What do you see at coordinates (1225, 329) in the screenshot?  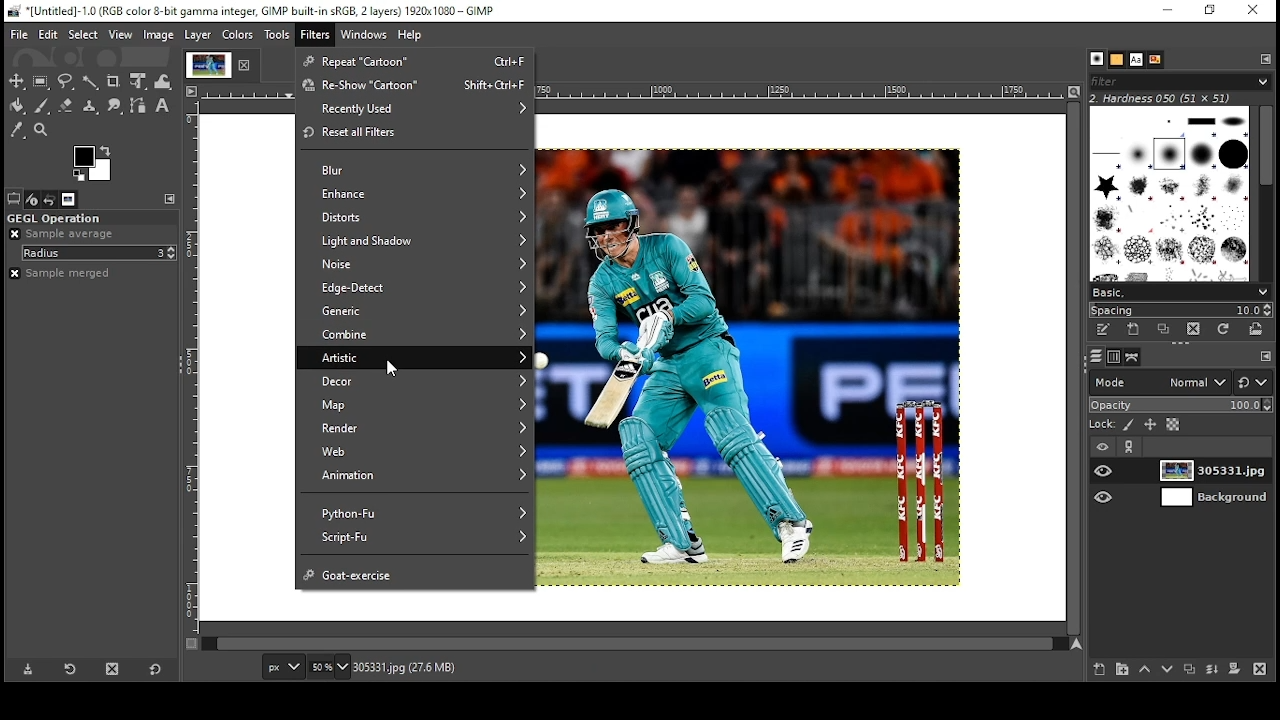 I see `refresh brushes` at bounding box center [1225, 329].